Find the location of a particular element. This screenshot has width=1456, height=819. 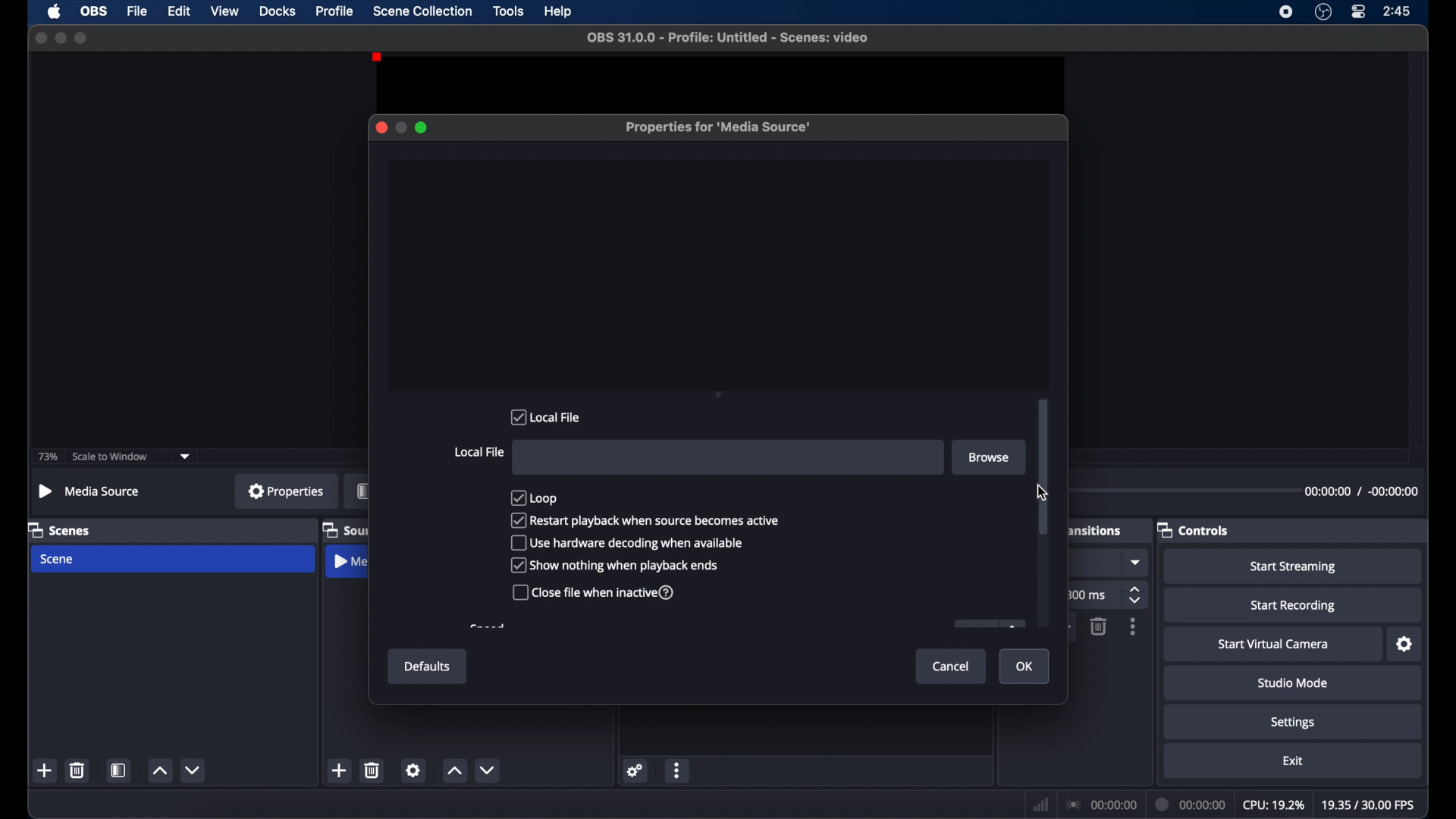

defaults is located at coordinates (428, 667).